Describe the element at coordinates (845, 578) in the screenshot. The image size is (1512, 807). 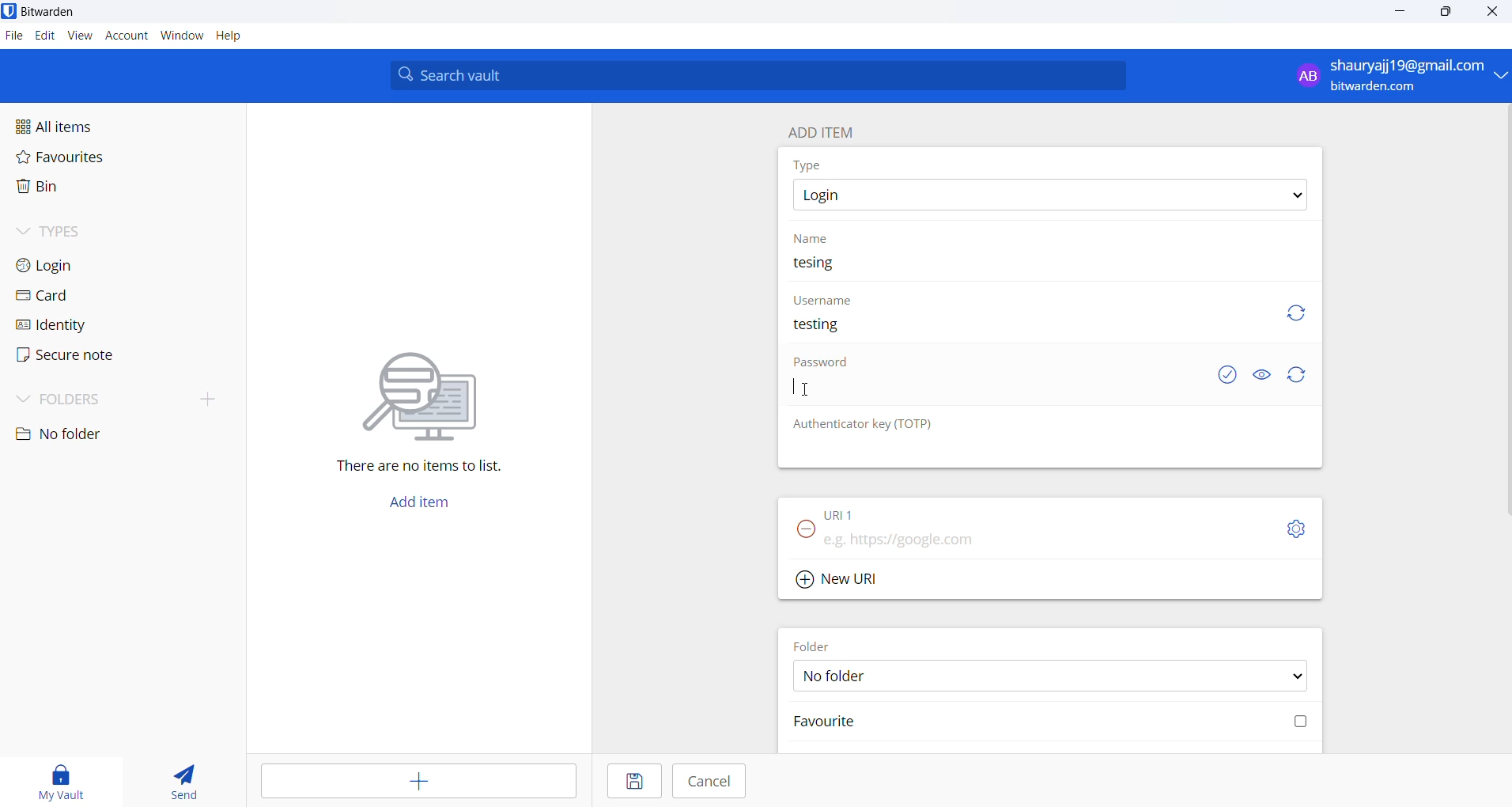
I see `add new URL` at that location.